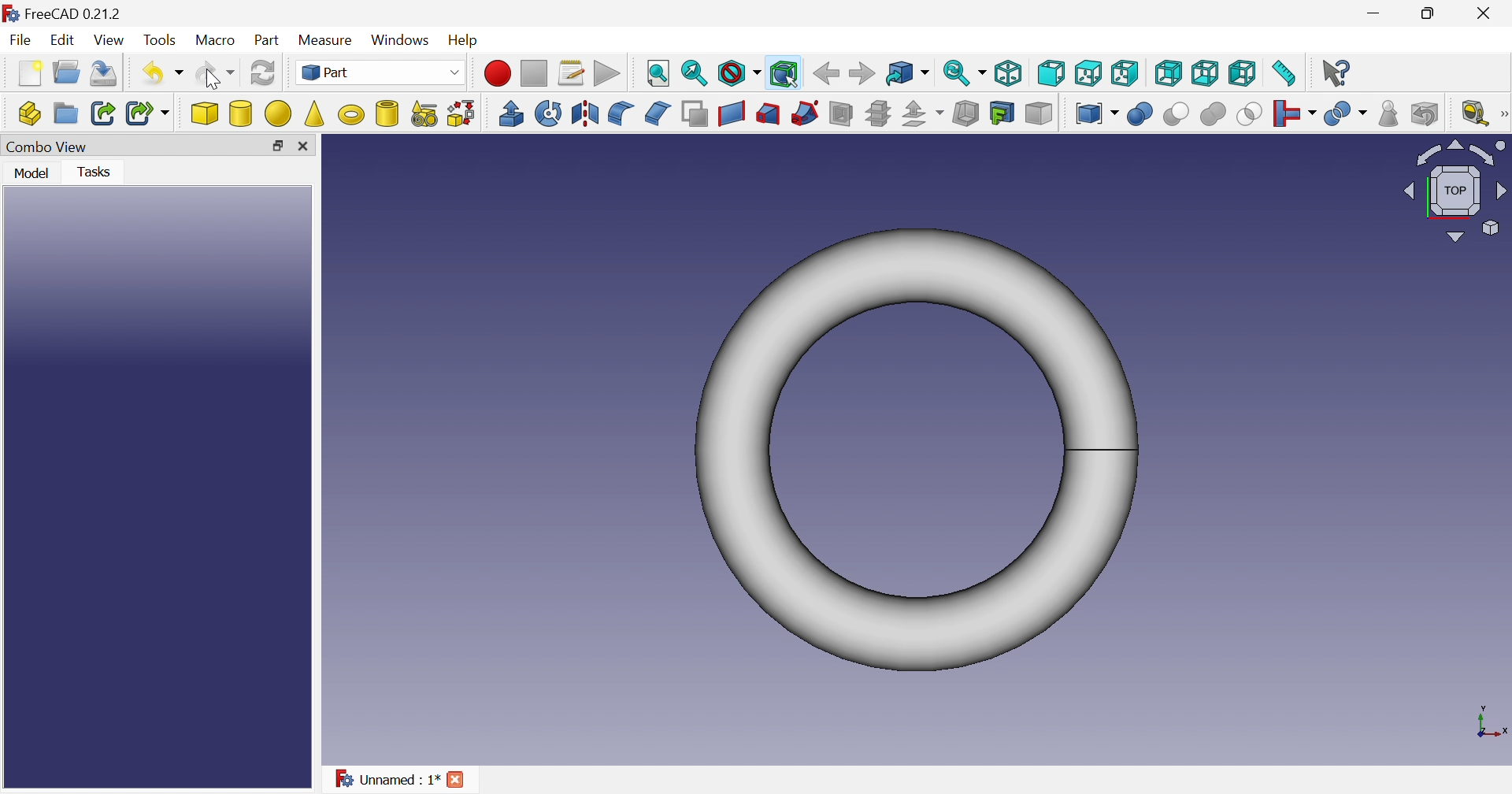 This screenshot has width=1512, height=794. What do you see at coordinates (862, 75) in the screenshot?
I see `Forward` at bounding box center [862, 75].